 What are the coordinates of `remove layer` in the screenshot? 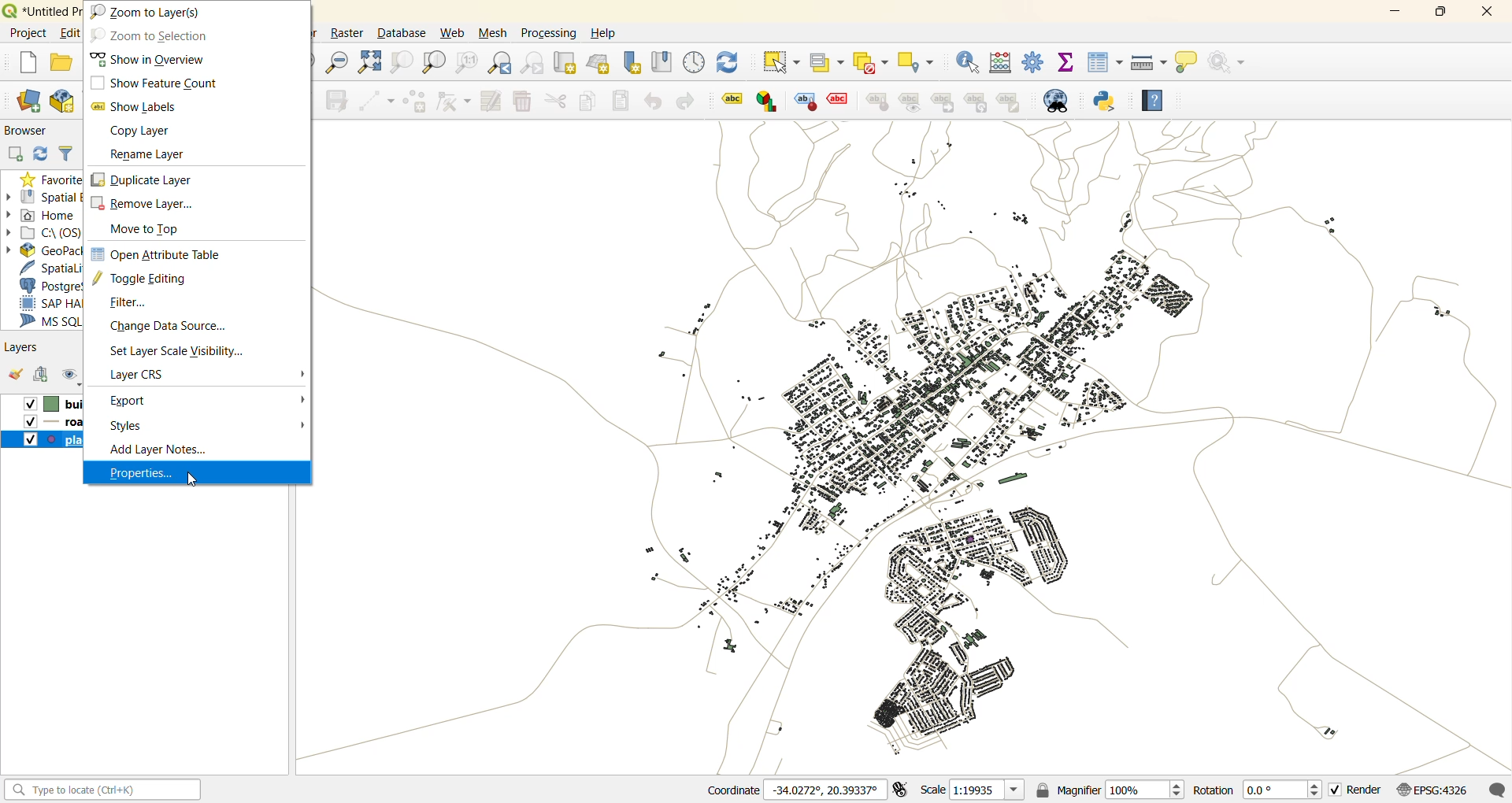 It's located at (150, 203).